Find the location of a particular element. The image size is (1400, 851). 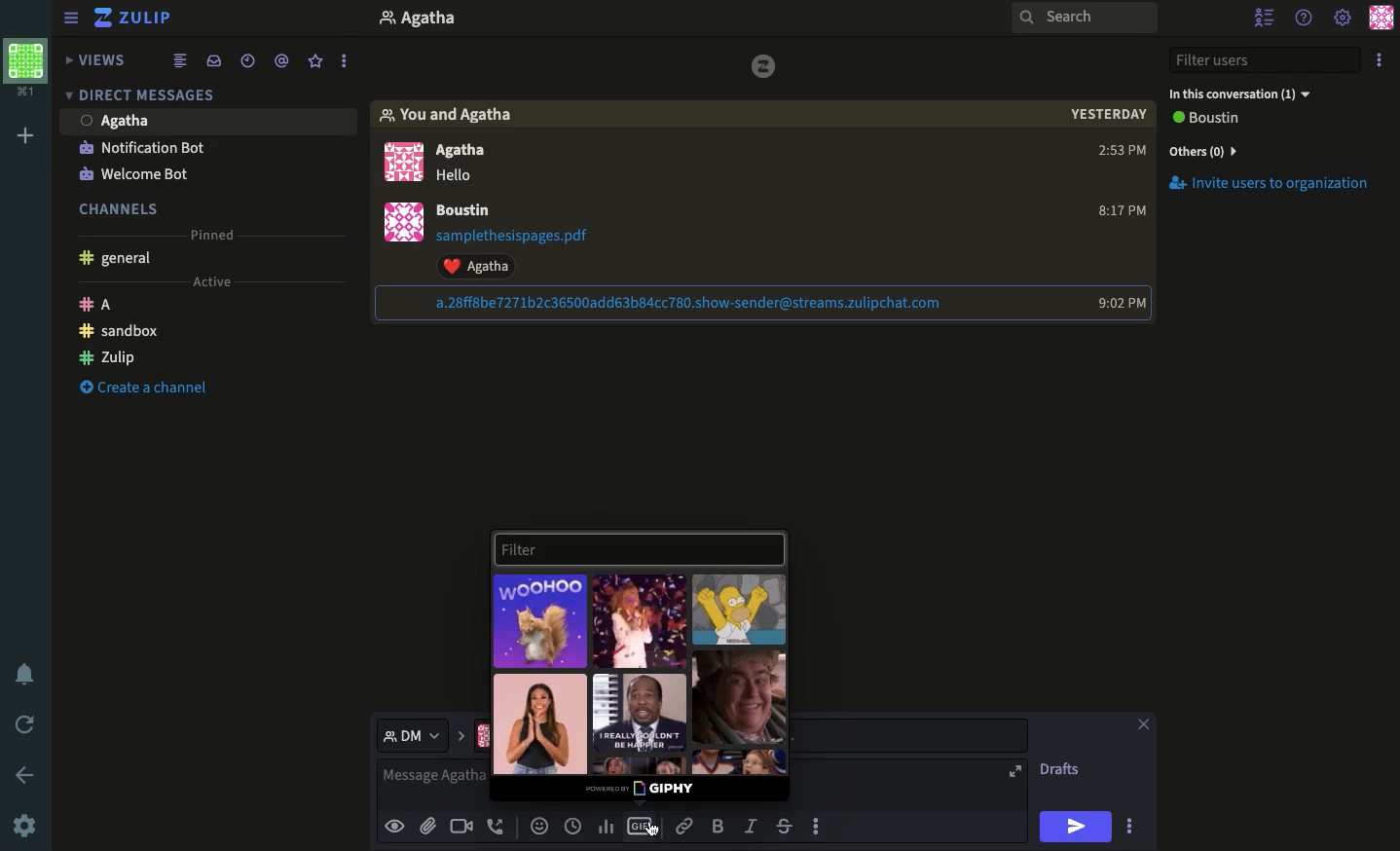

Options is located at coordinates (1379, 61).